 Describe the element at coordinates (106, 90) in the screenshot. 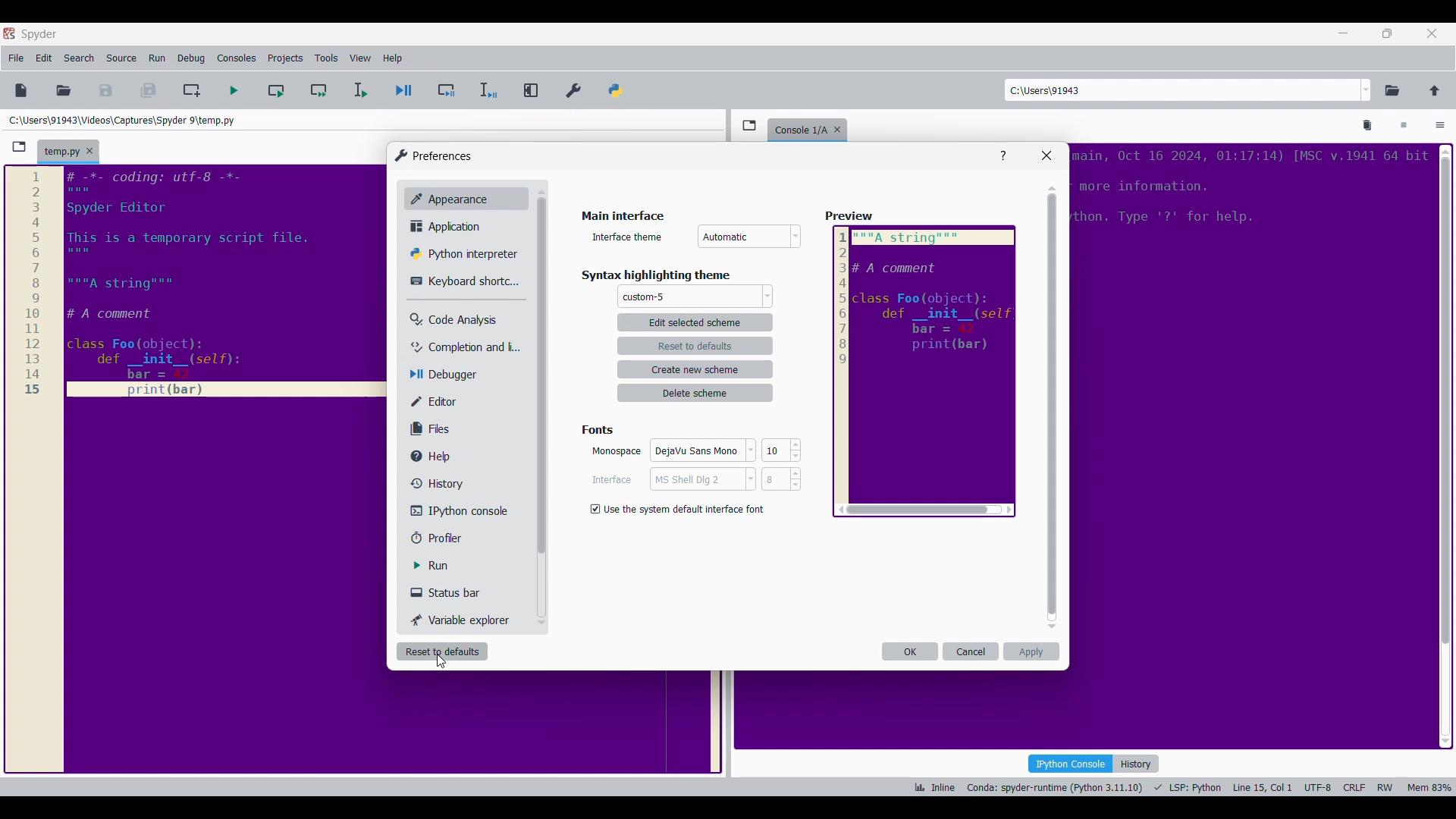

I see `Save` at that location.